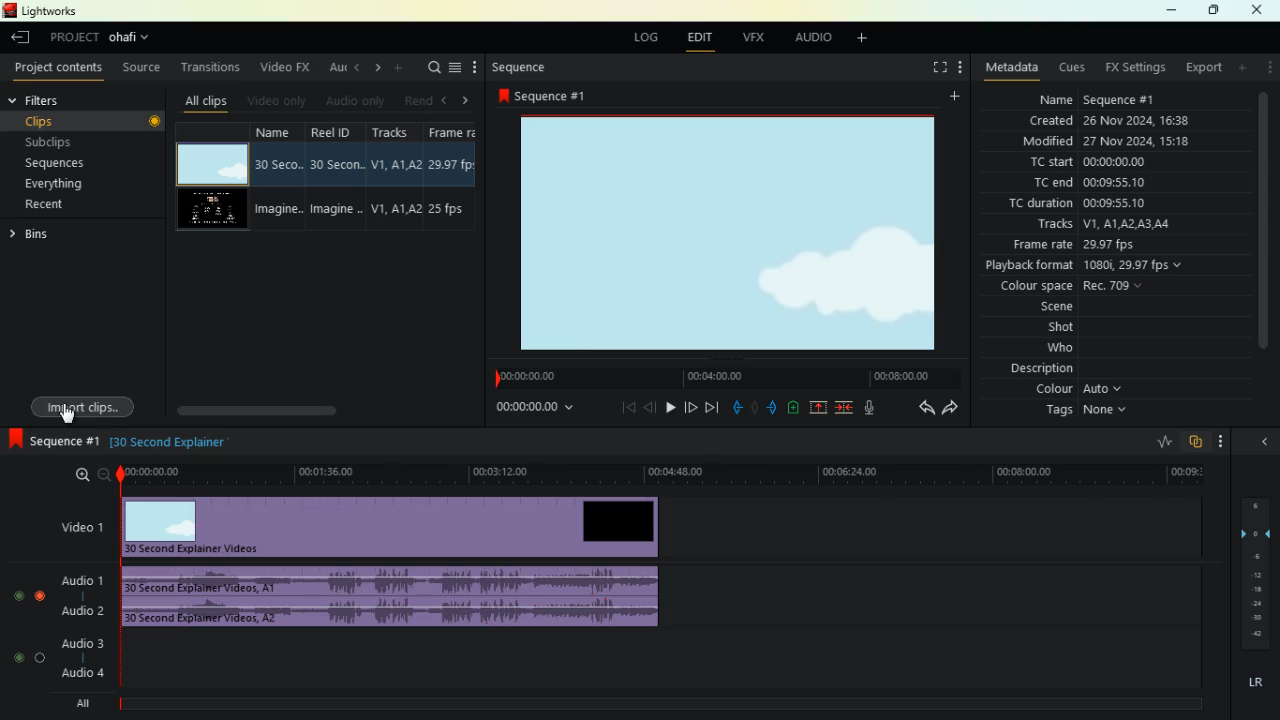 Image resolution: width=1280 pixels, height=720 pixels. What do you see at coordinates (18, 38) in the screenshot?
I see `back` at bounding box center [18, 38].